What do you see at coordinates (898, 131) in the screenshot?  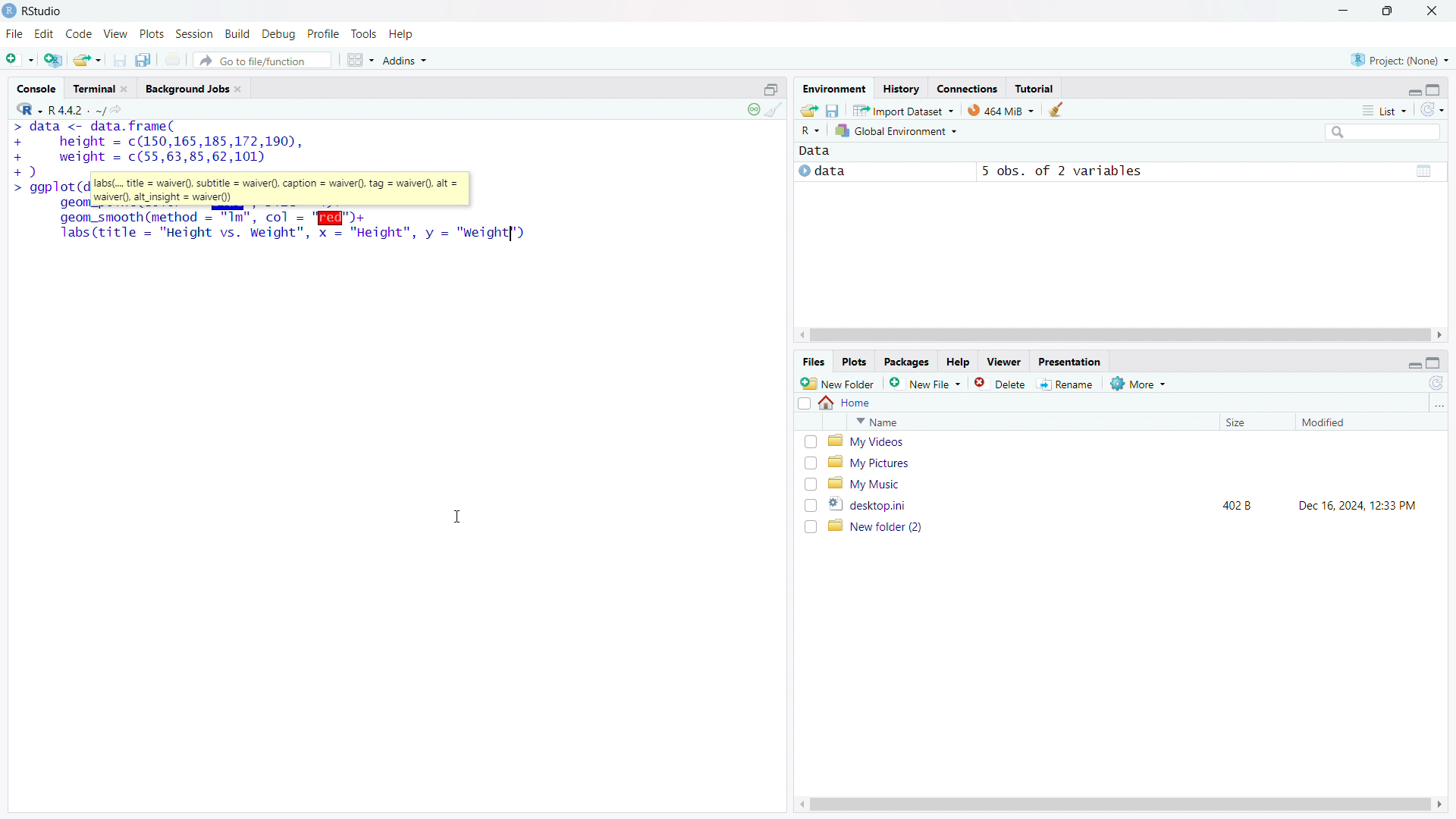 I see `select environment` at bounding box center [898, 131].